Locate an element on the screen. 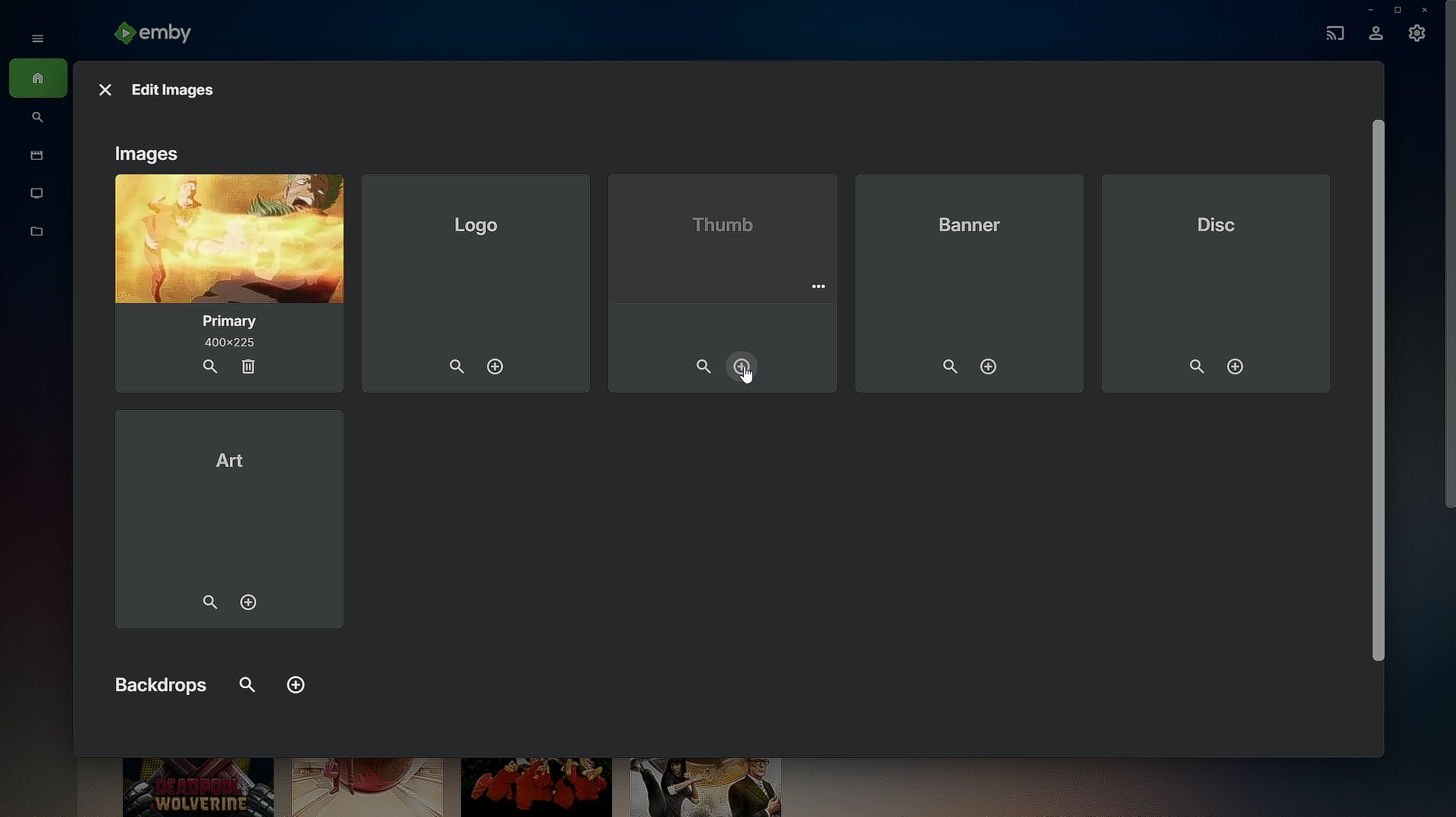  FInd is located at coordinates (244, 681).